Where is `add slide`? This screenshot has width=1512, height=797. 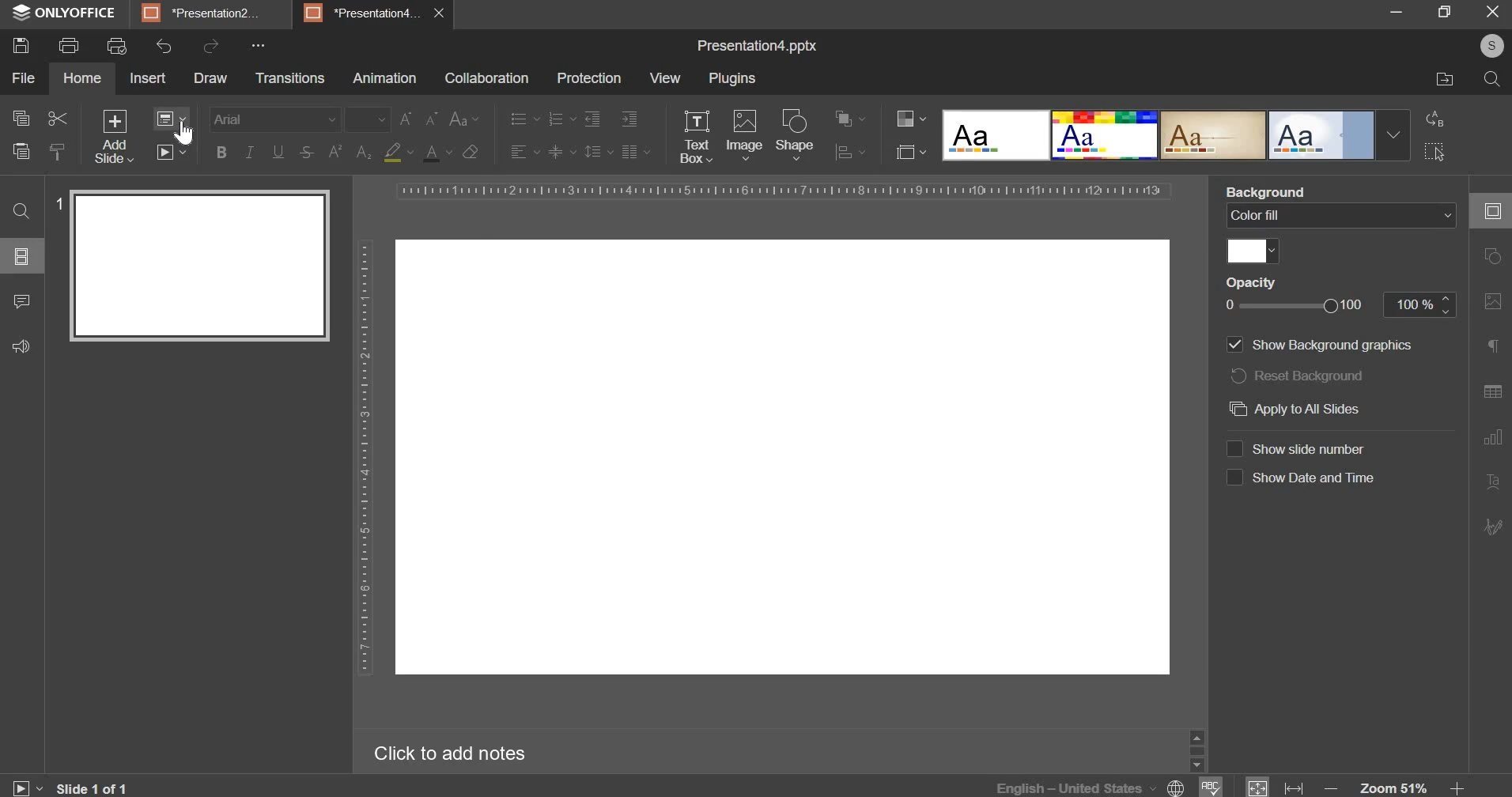
add slide is located at coordinates (114, 138).